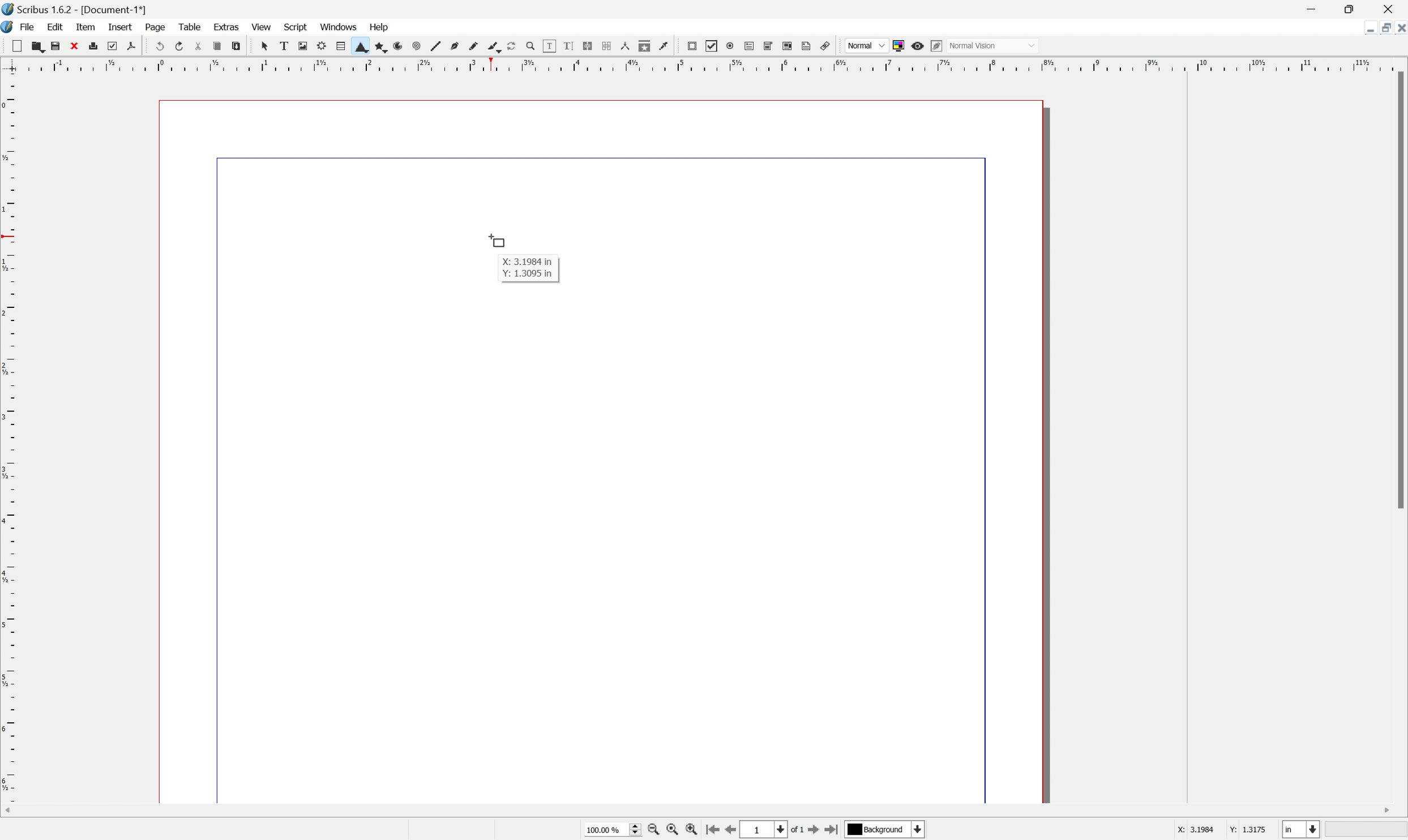 This screenshot has width=1408, height=840. I want to click on Restore Down, so click(1381, 28).